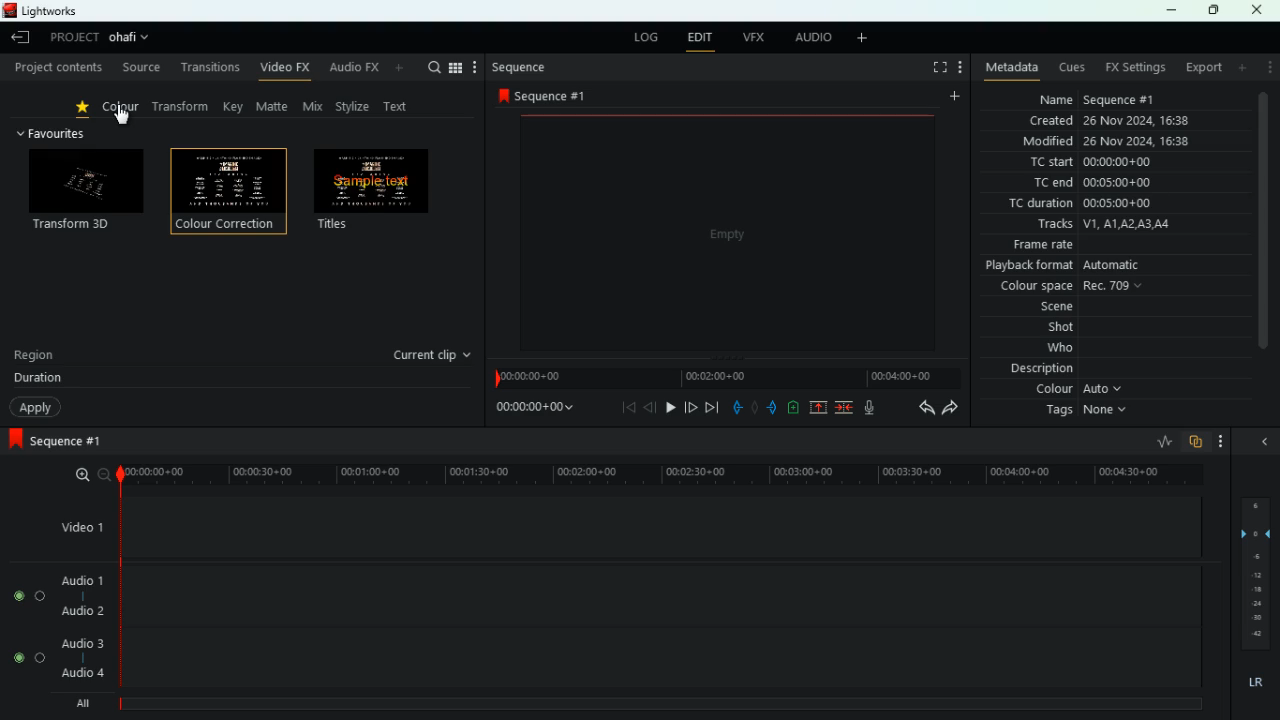  Describe the element at coordinates (185, 107) in the screenshot. I see `transform` at that location.